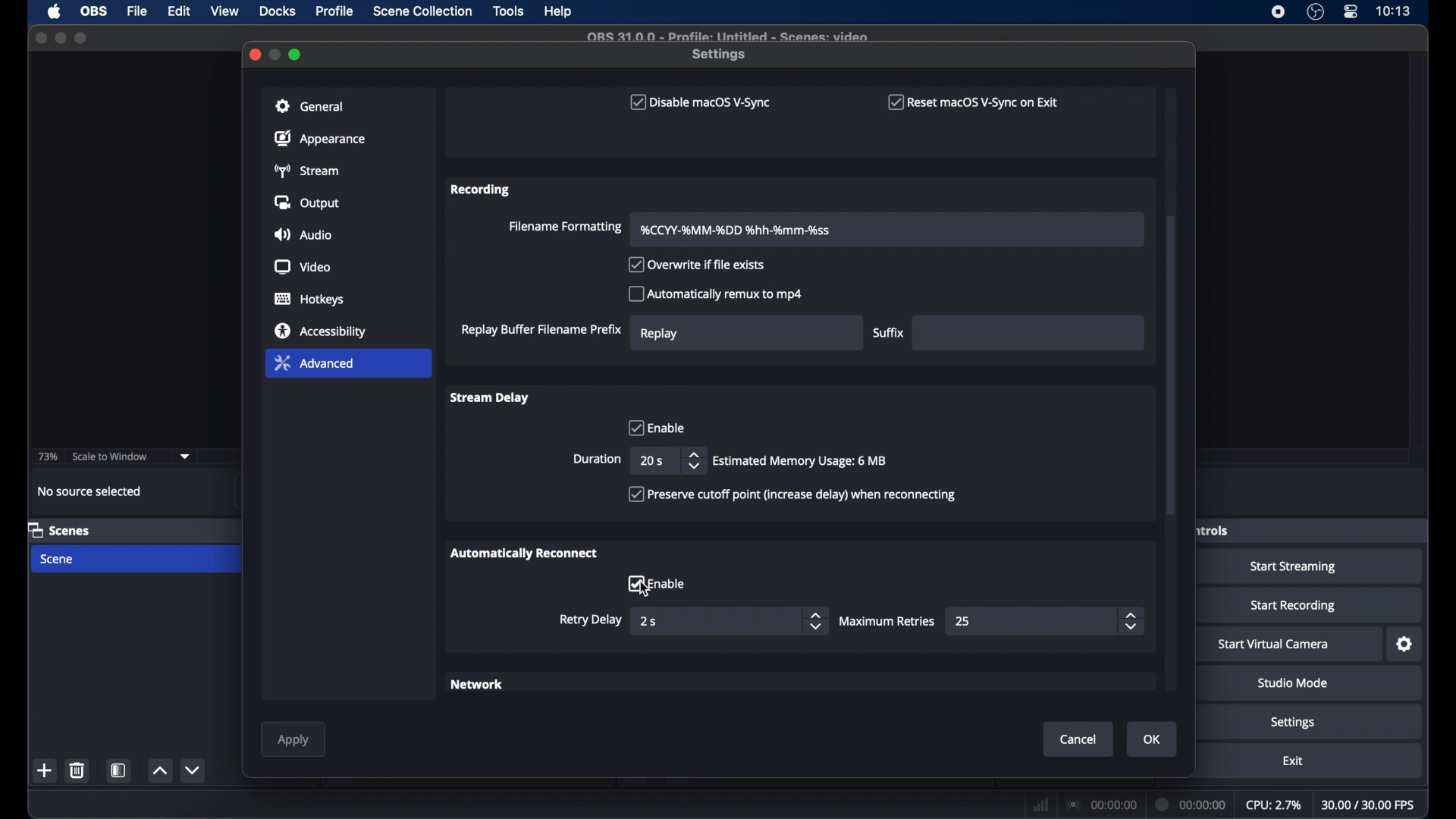 The height and width of the screenshot is (819, 1456). I want to click on maximum retires, so click(889, 621).